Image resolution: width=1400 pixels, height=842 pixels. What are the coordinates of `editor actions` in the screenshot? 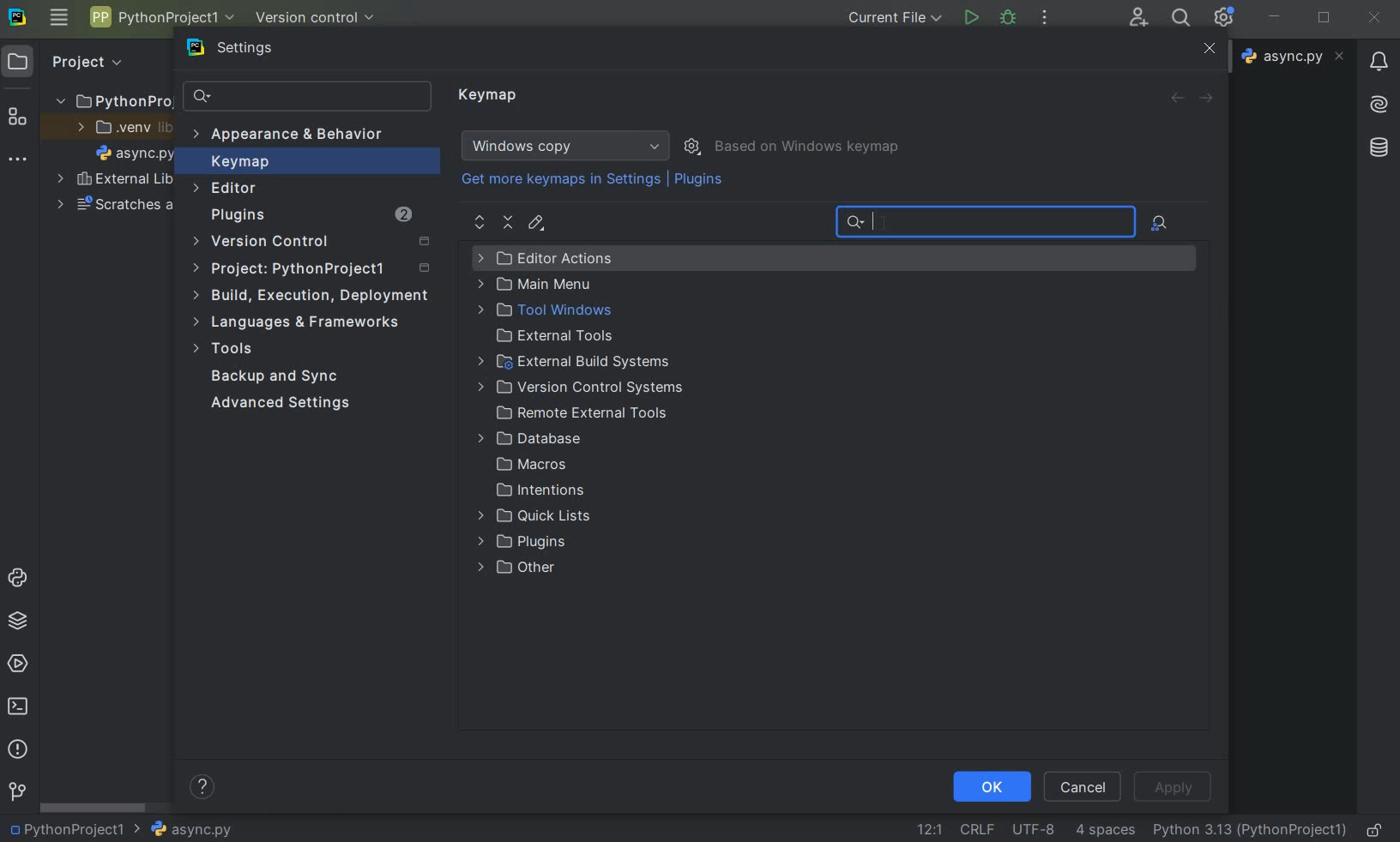 It's located at (545, 259).